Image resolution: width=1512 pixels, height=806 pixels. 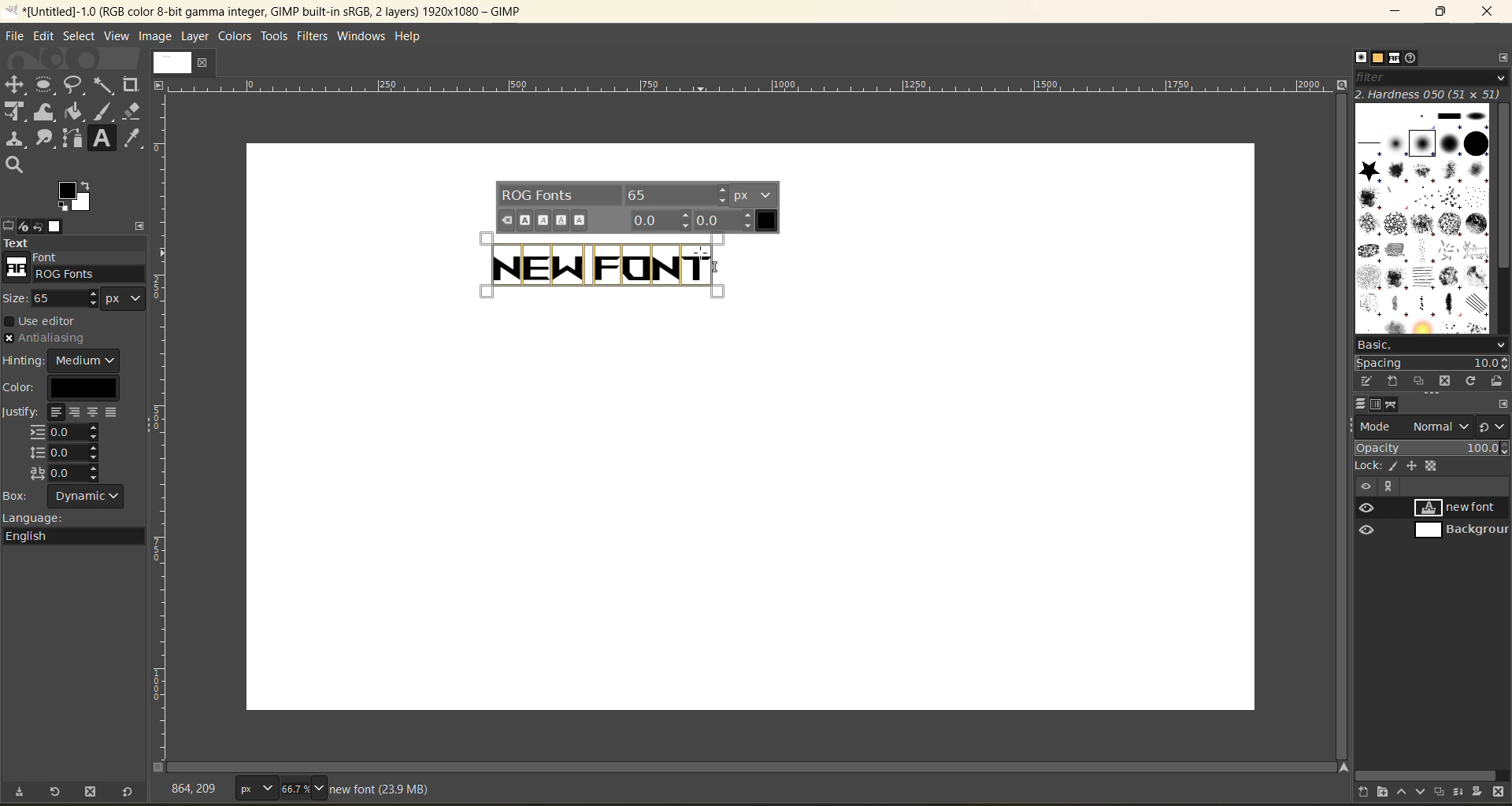 What do you see at coordinates (75, 126) in the screenshot?
I see `tools` at bounding box center [75, 126].